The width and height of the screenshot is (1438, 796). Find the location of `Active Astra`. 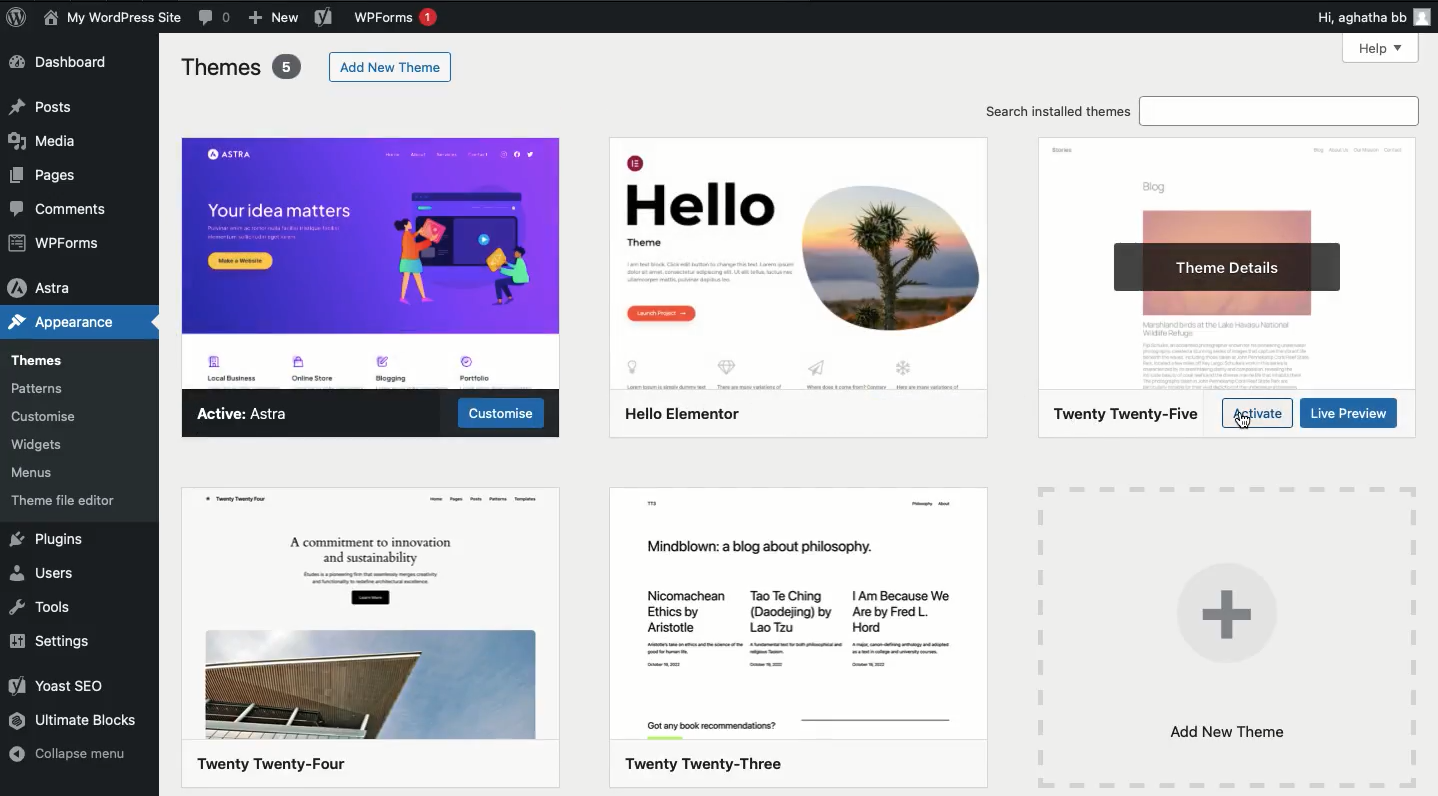

Active Astra is located at coordinates (249, 418).